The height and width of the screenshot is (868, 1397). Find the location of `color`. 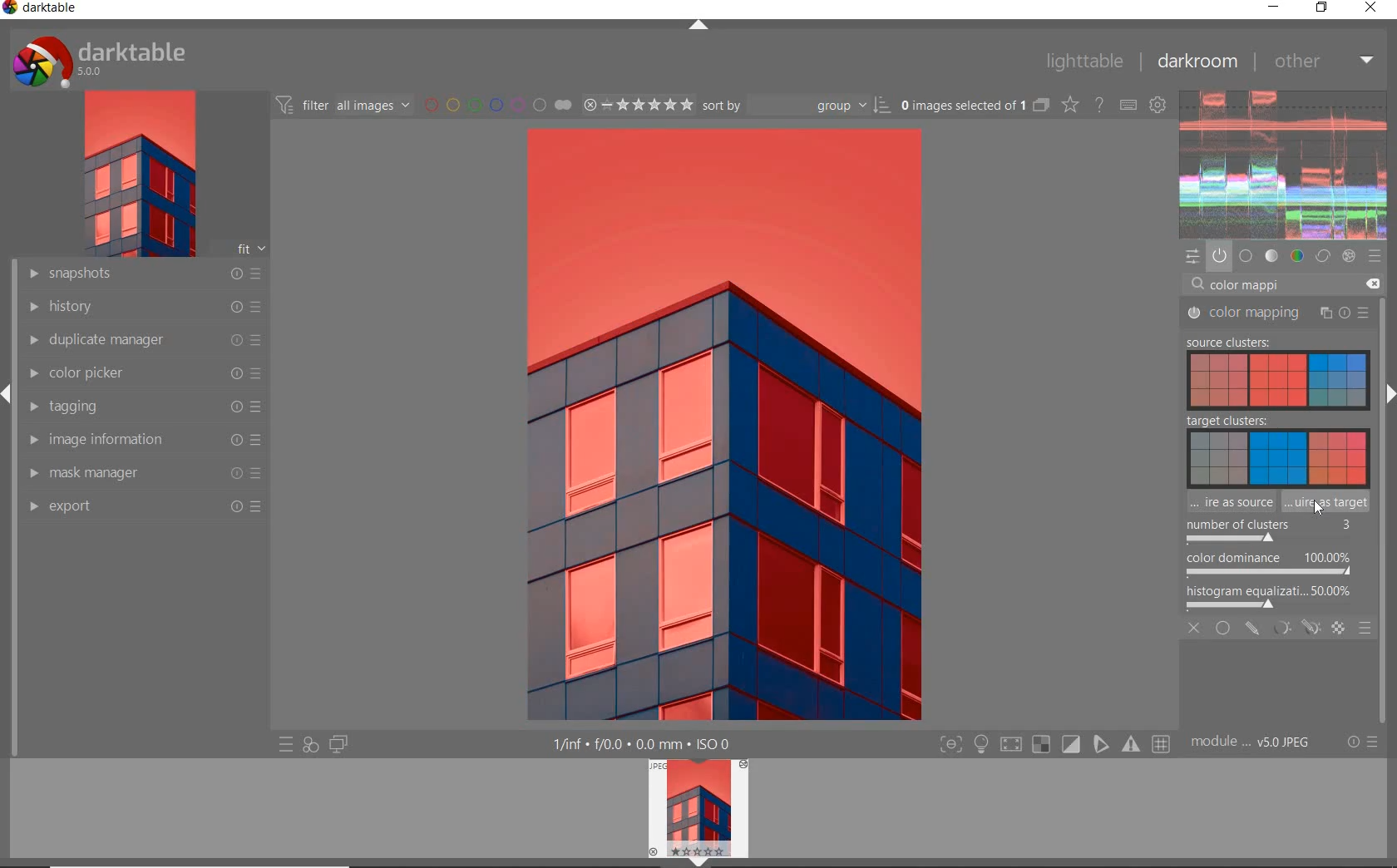

color is located at coordinates (1296, 258).